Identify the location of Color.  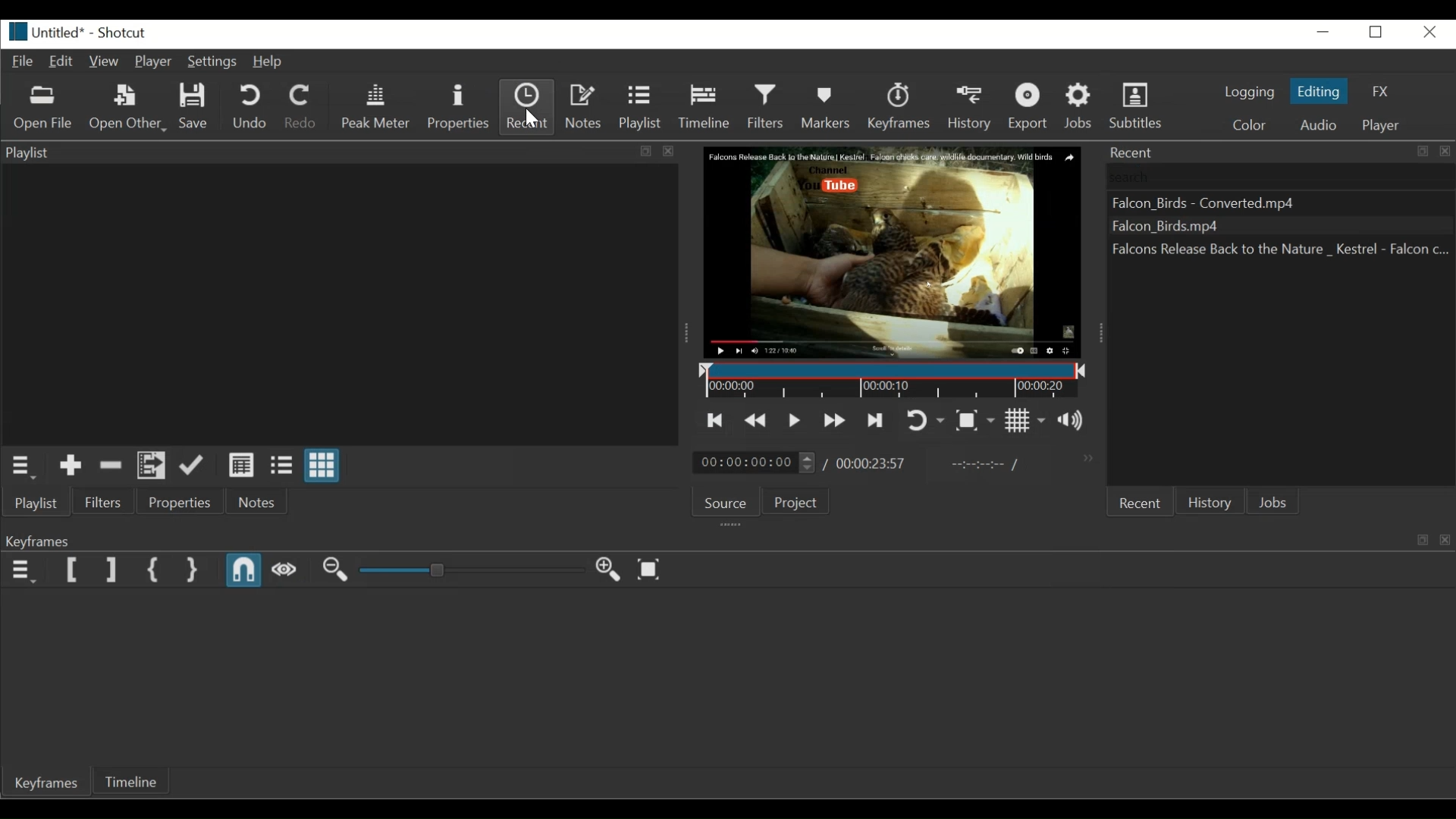
(1248, 124).